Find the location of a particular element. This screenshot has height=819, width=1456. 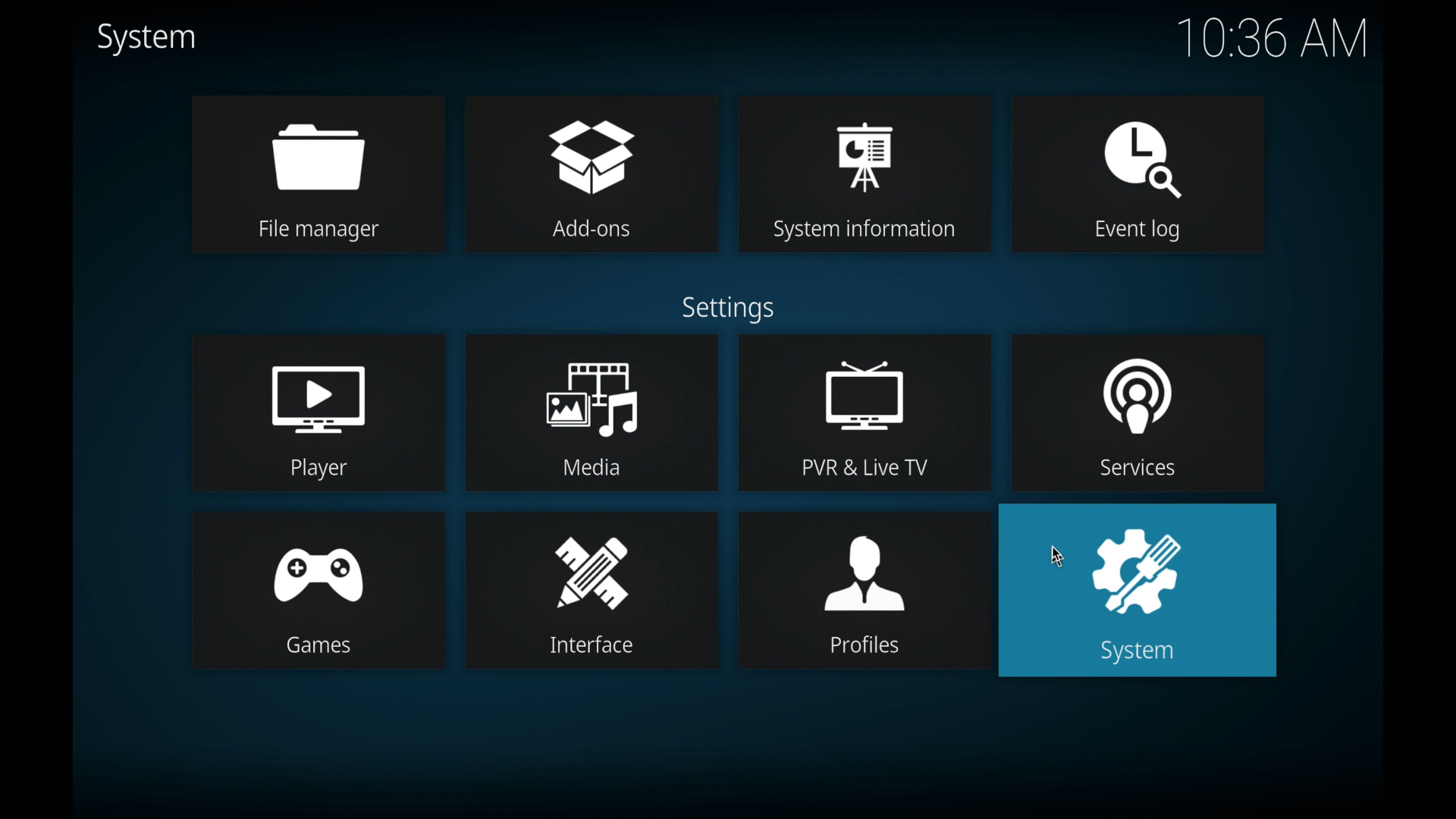

file manager is located at coordinates (314, 174).